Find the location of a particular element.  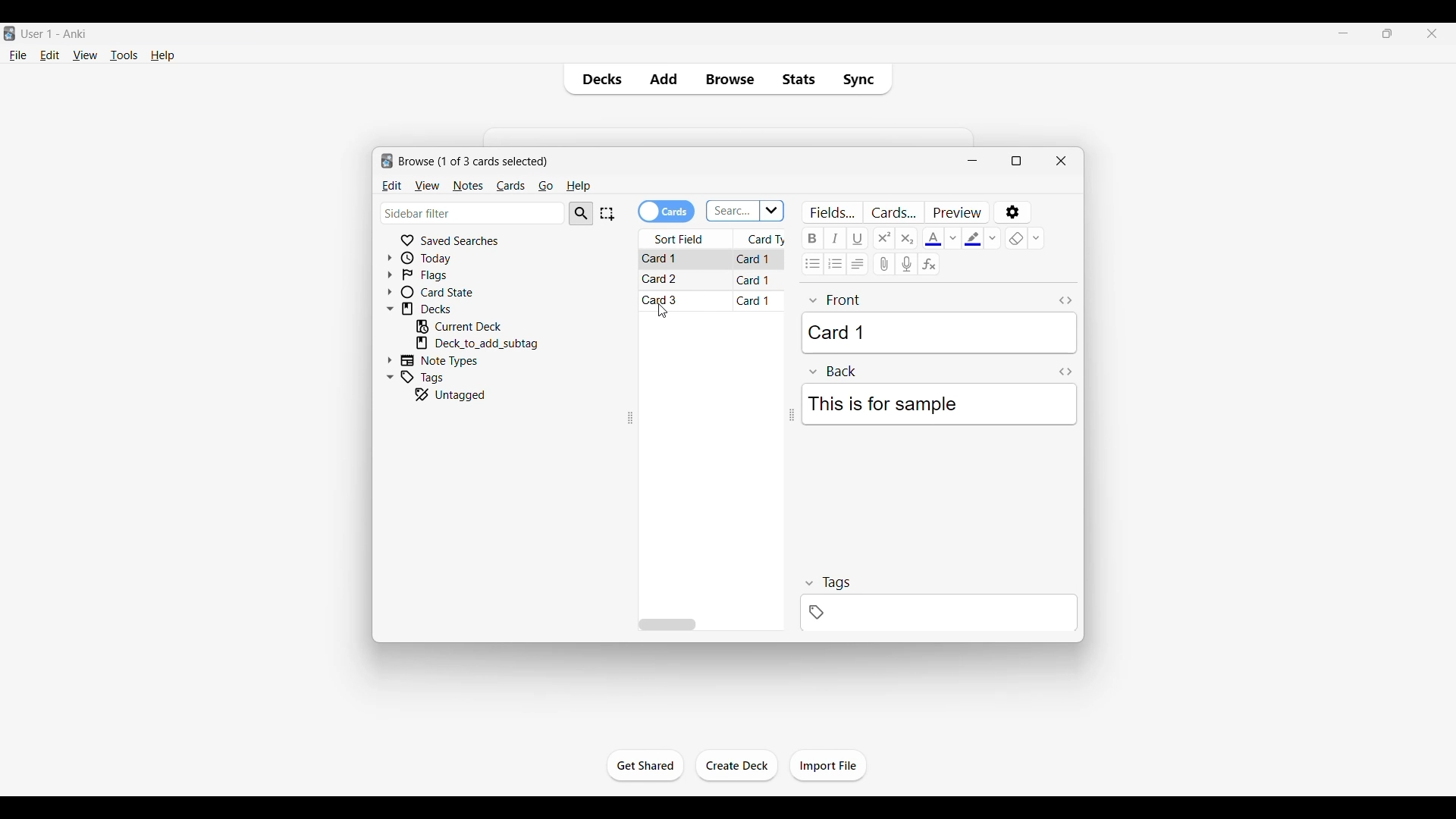

Card 3 is located at coordinates (663, 300).